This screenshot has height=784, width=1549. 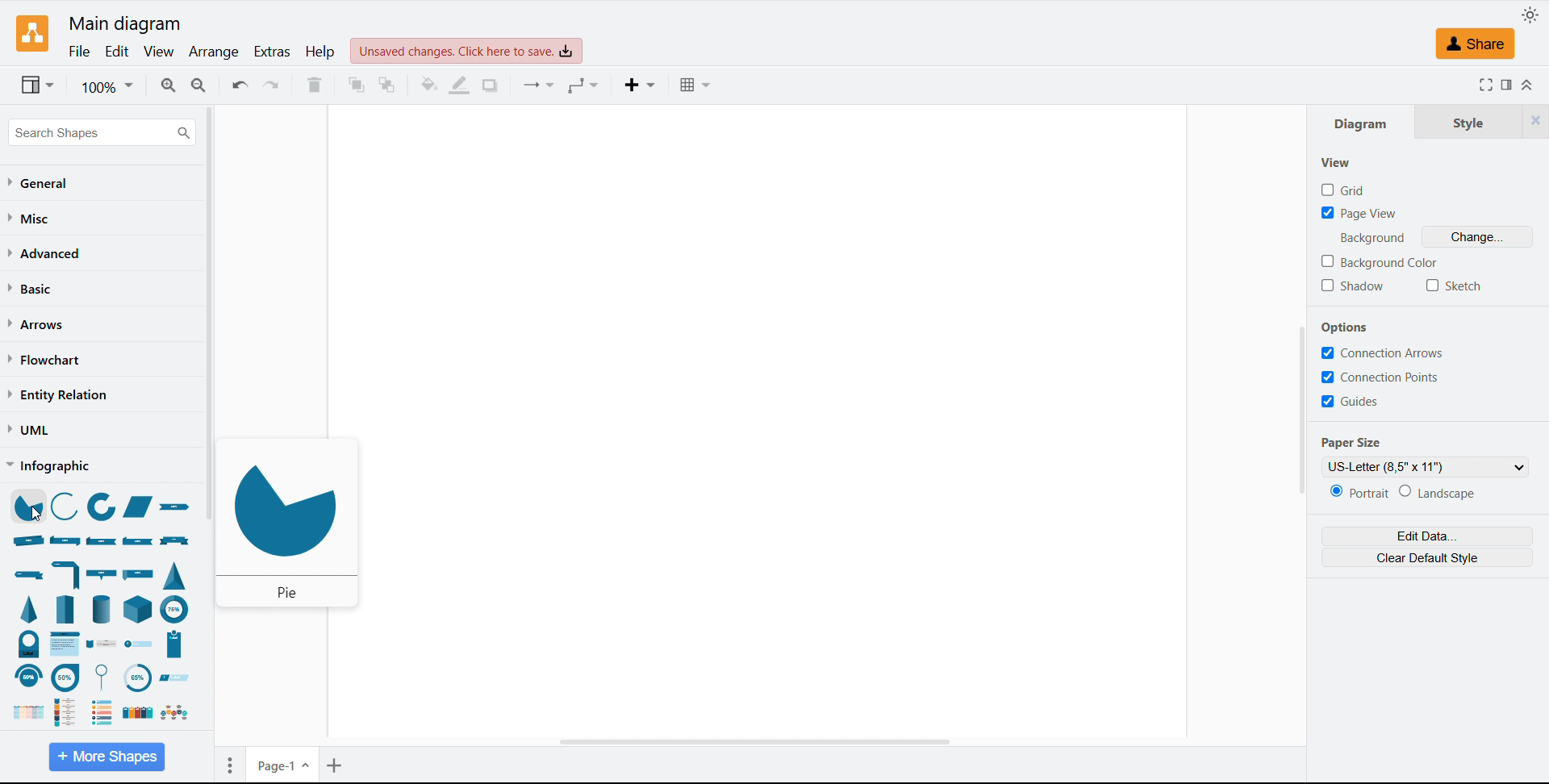 What do you see at coordinates (102, 508) in the screenshot?
I see `partial concentric ellipse` at bounding box center [102, 508].